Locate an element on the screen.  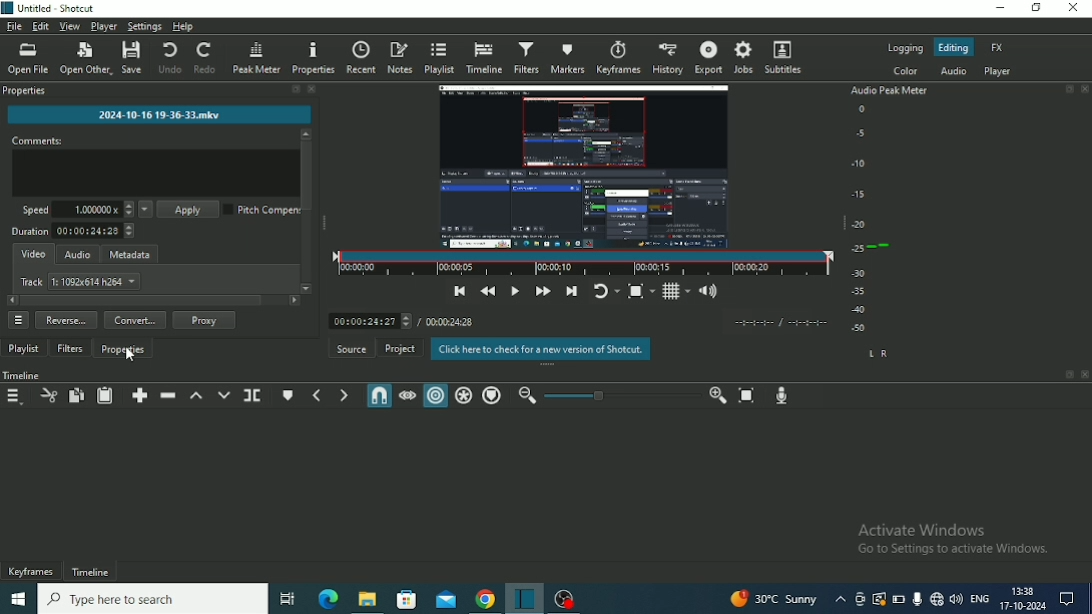
Close is located at coordinates (1085, 374).